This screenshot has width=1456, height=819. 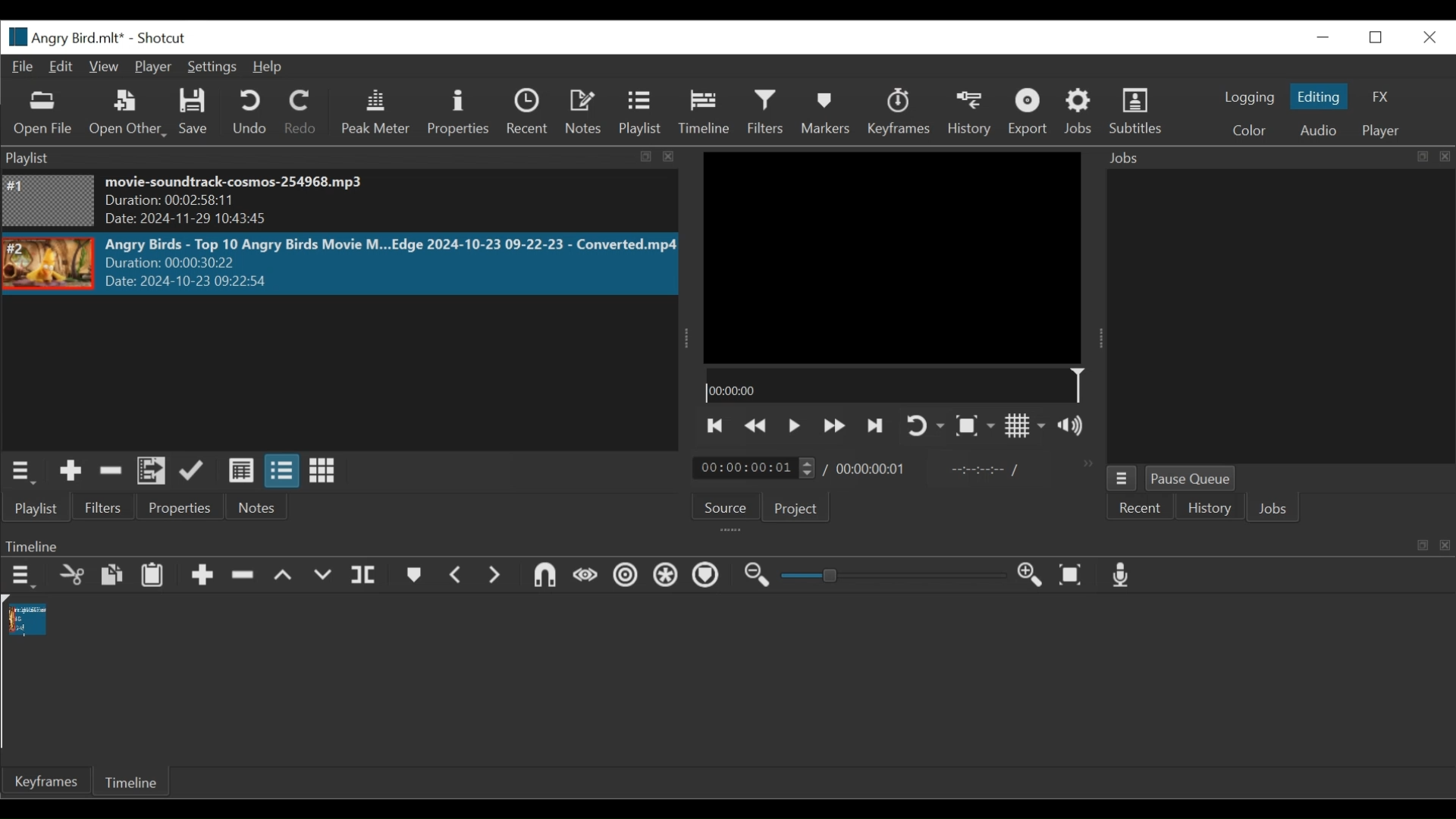 I want to click on Playlist, so click(x=640, y=114).